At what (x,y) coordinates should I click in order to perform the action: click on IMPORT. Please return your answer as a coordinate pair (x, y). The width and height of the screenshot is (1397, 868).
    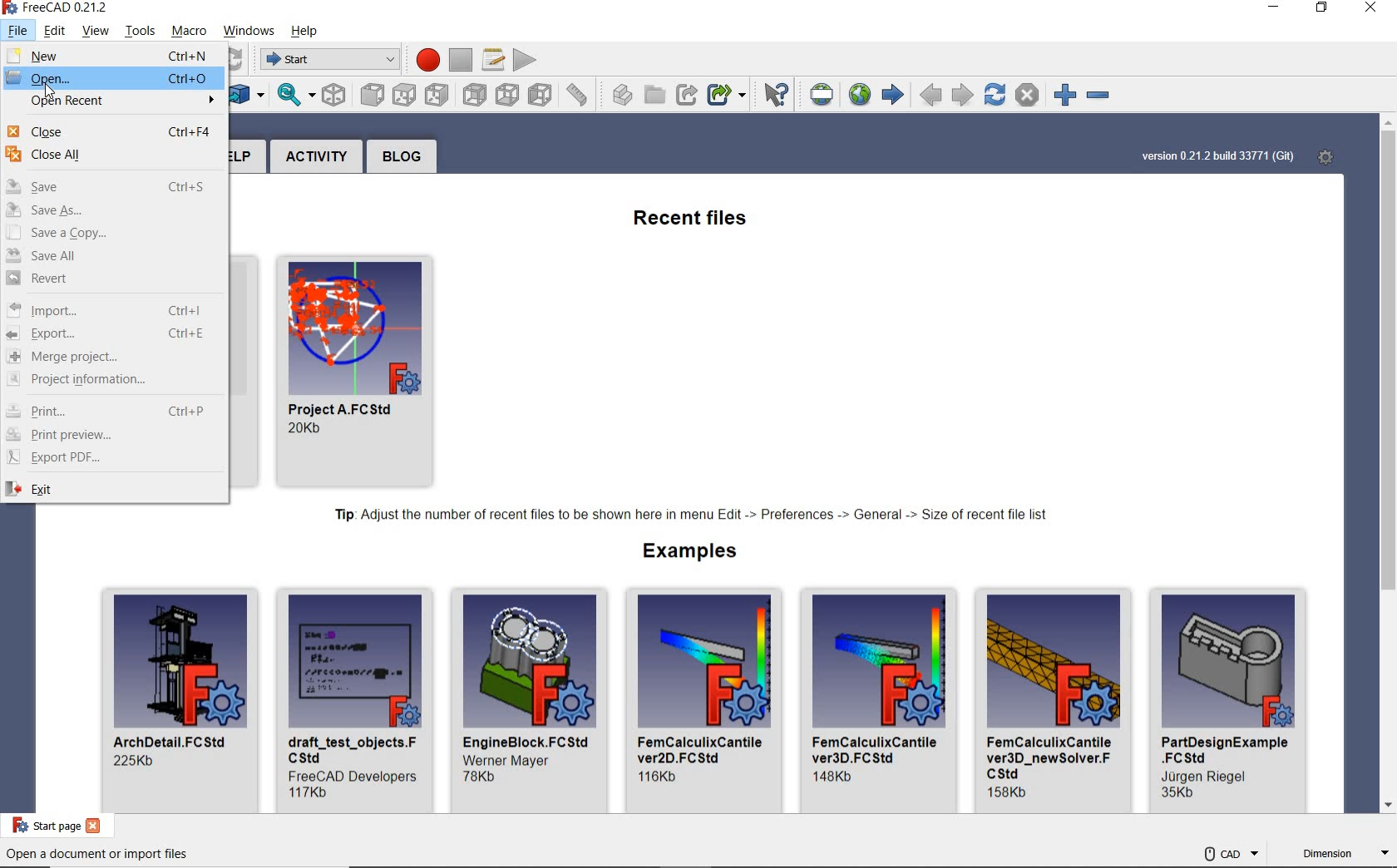
    Looking at the image, I should click on (63, 310).